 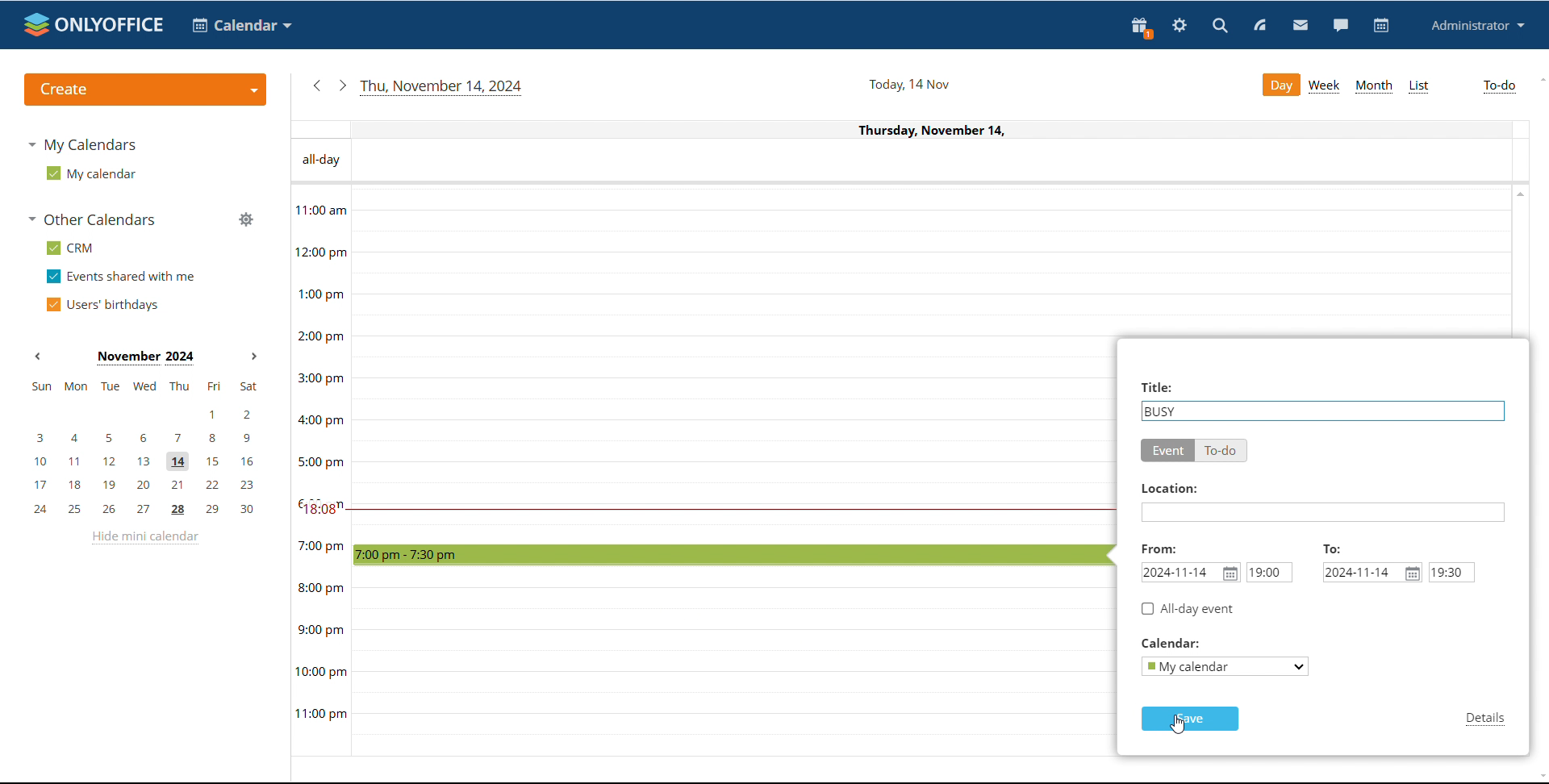 What do you see at coordinates (90, 174) in the screenshot?
I see `my calendar` at bounding box center [90, 174].